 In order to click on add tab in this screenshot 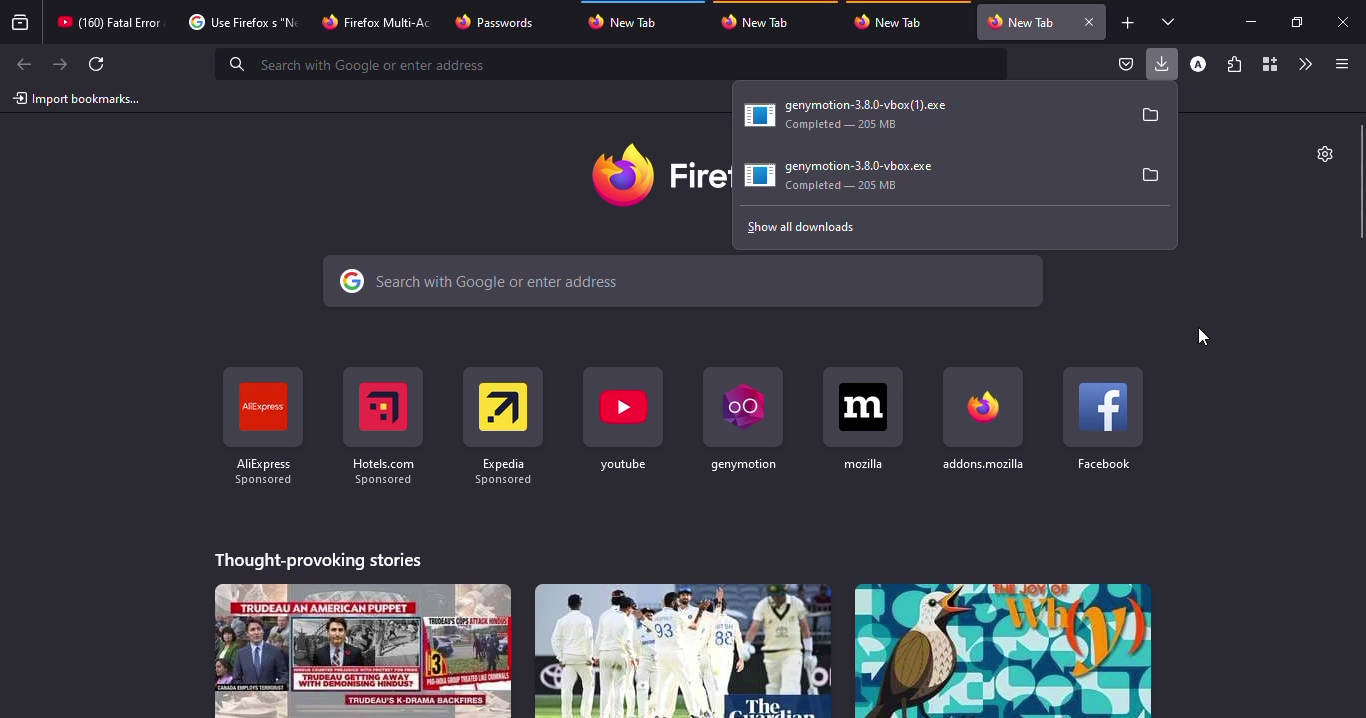, I will do `click(1128, 23)`.